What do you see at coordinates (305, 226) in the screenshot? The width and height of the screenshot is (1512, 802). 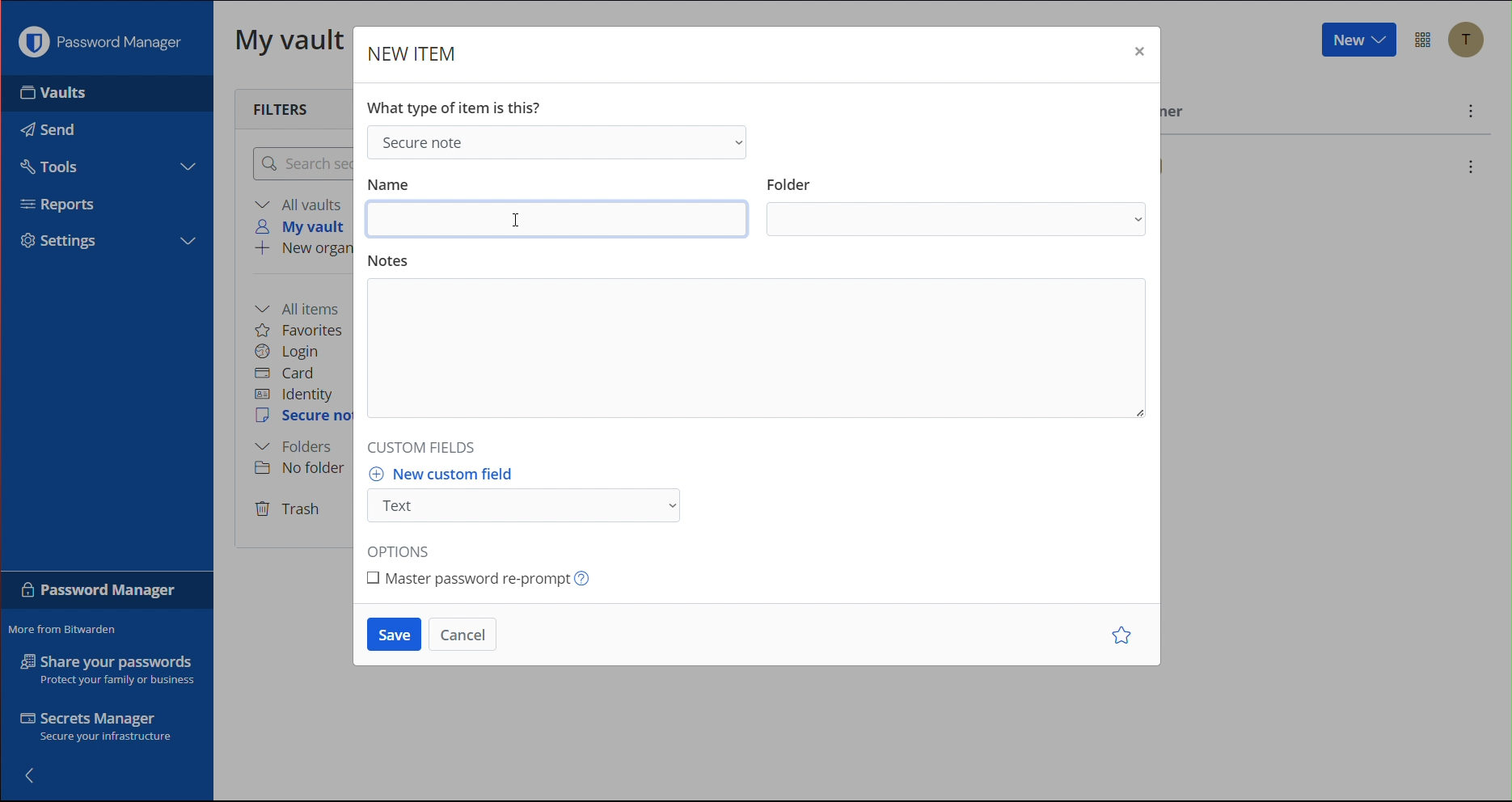 I see `My vault` at bounding box center [305, 226].